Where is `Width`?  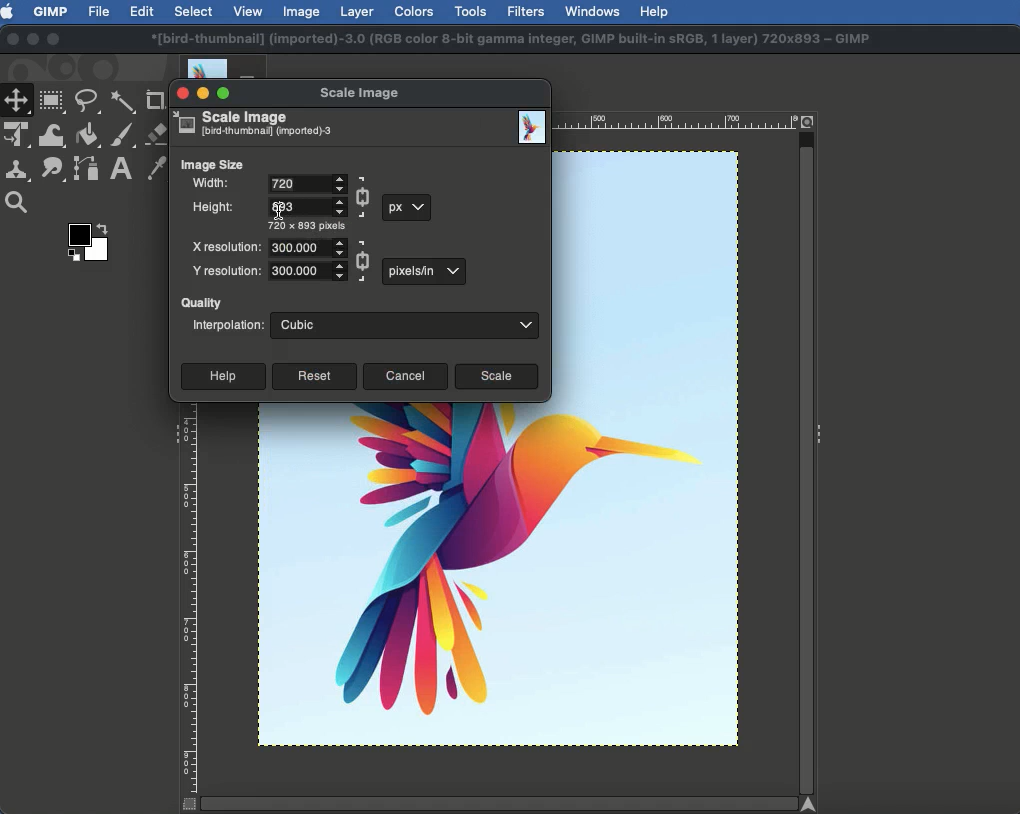 Width is located at coordinates (210, 184).